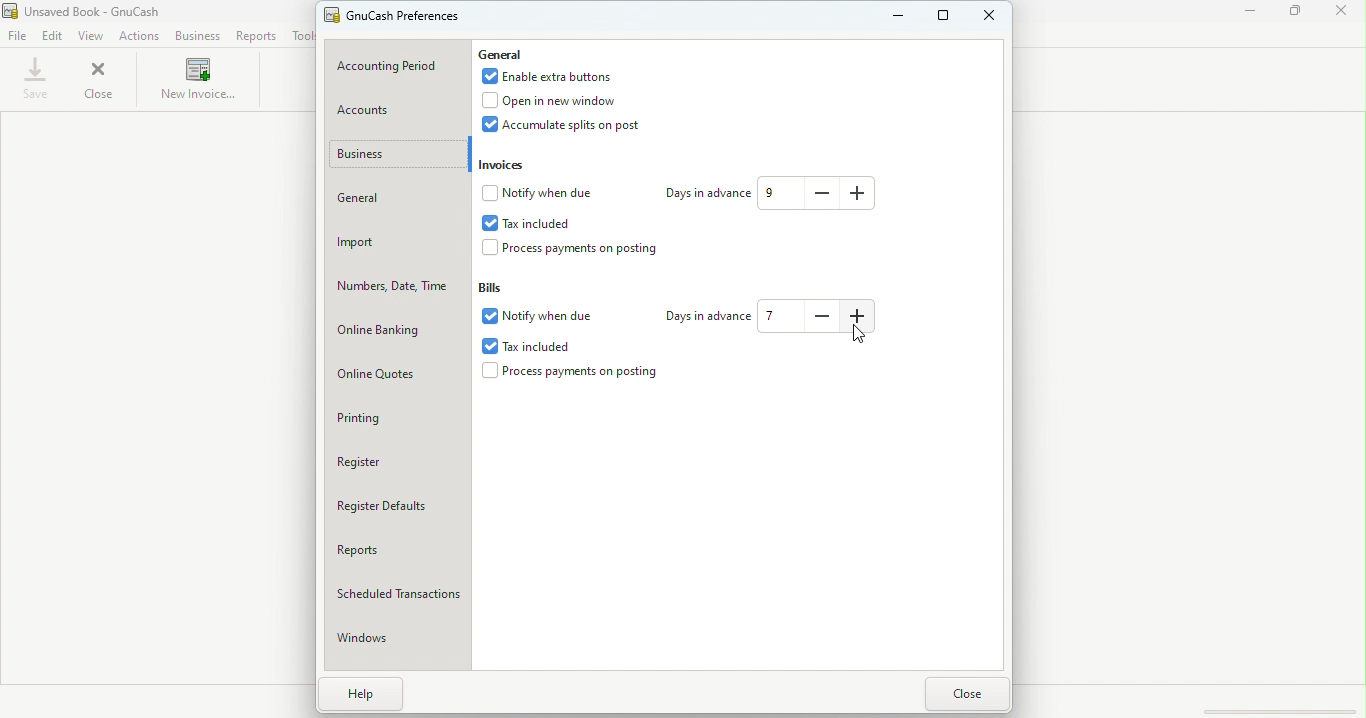 The height and width of the screenshot is (718, 1366). I want to click on Enable extra buttons, so click(555, 78).